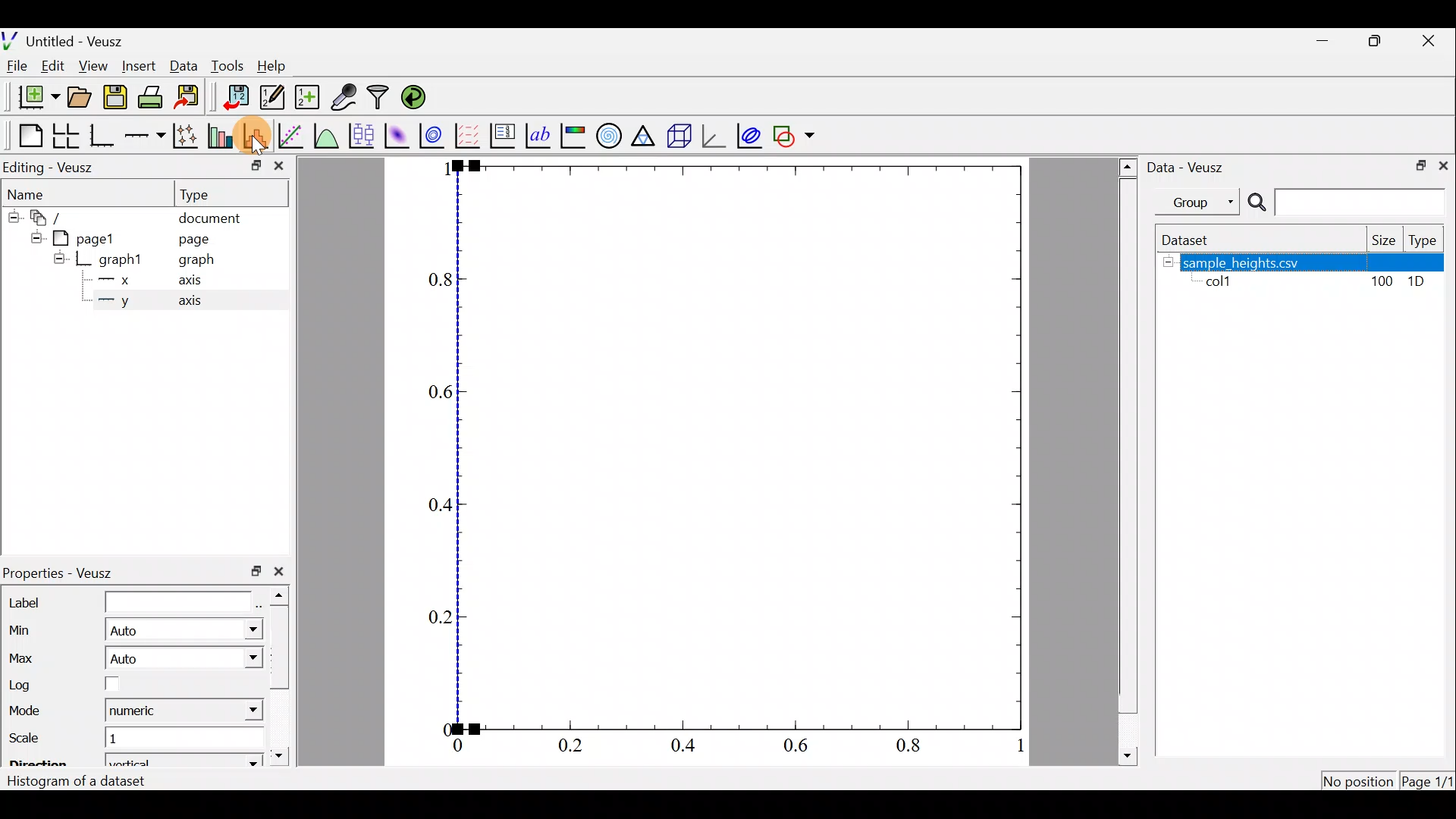  What do you see at coordinates (272, 97) in the screenshot?
I see `edit and enter new datasets` at bounding box center [272, 97].